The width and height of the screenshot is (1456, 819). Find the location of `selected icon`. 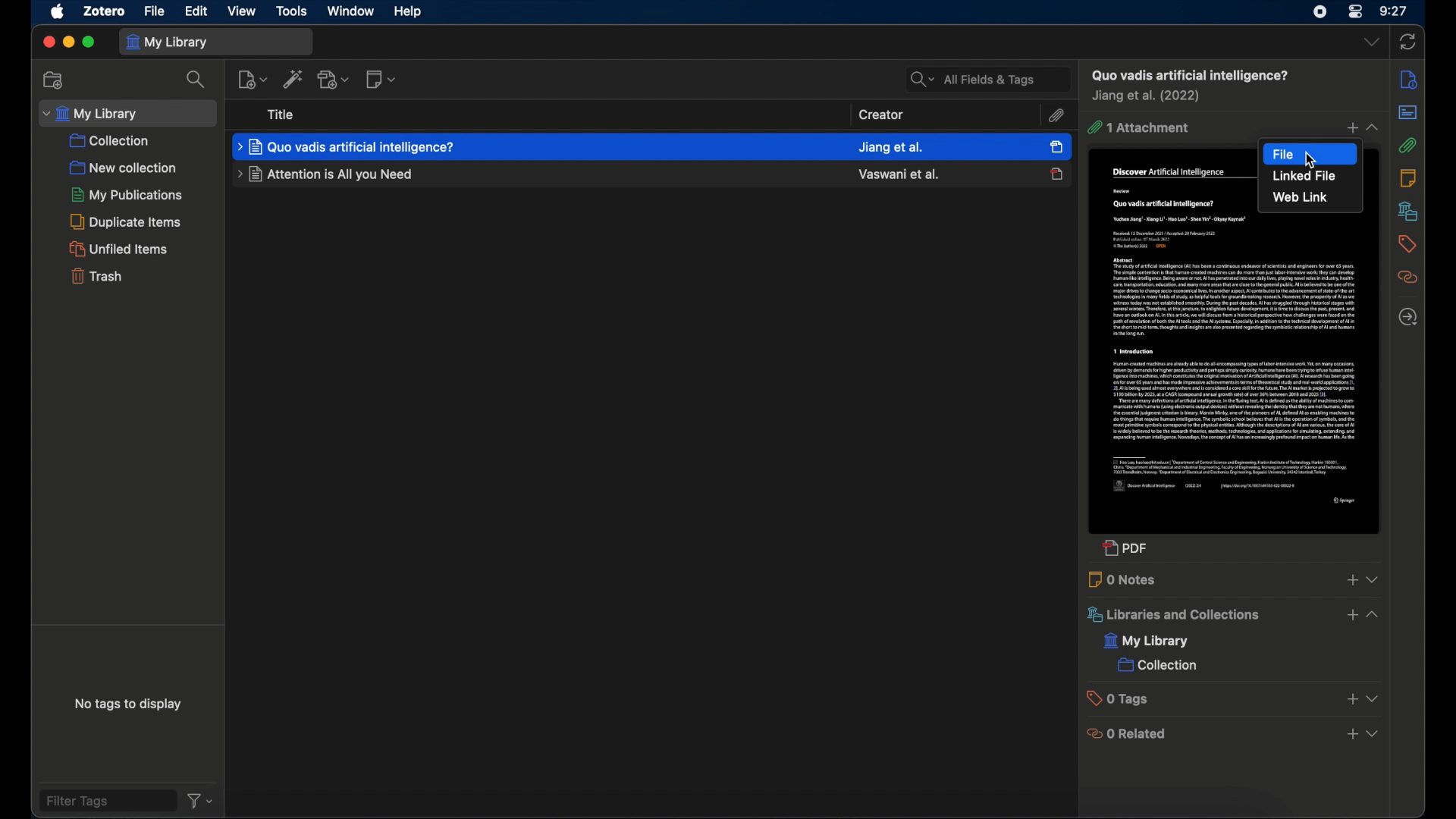

selected icon is located at coordinates (1056, 146).